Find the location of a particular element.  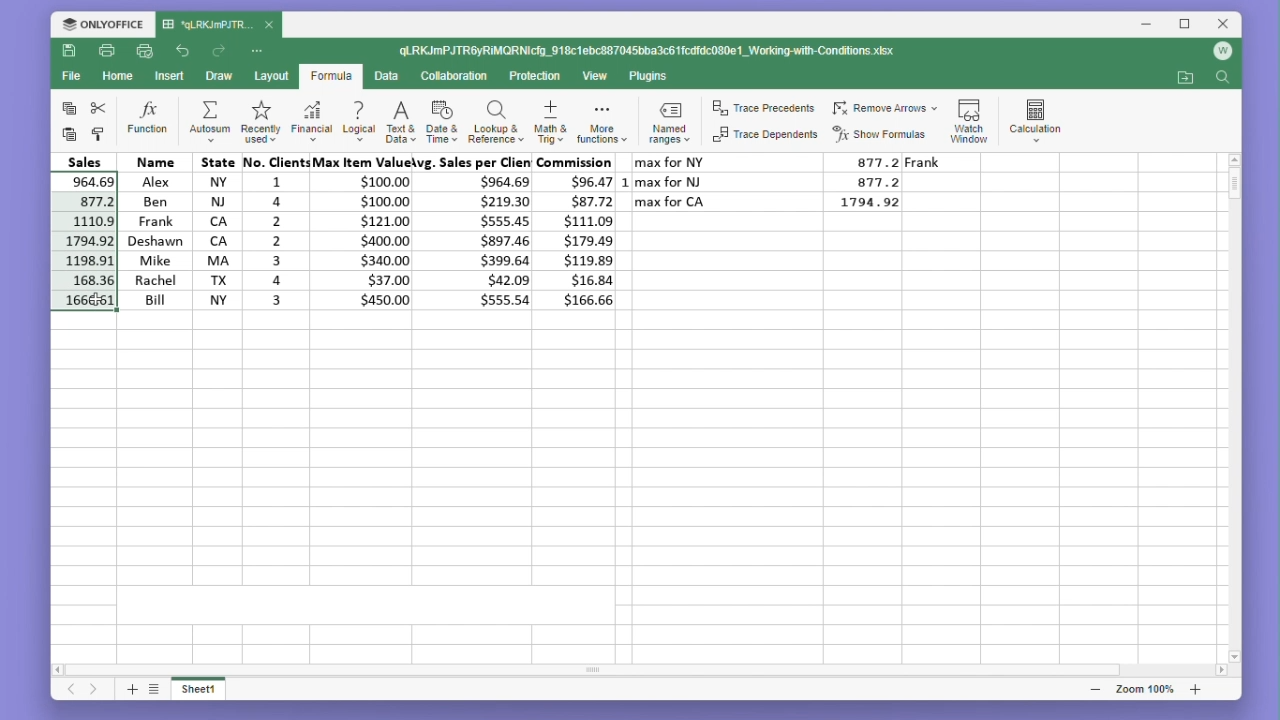

Sheet 1 is located at coordinates (209, 692).